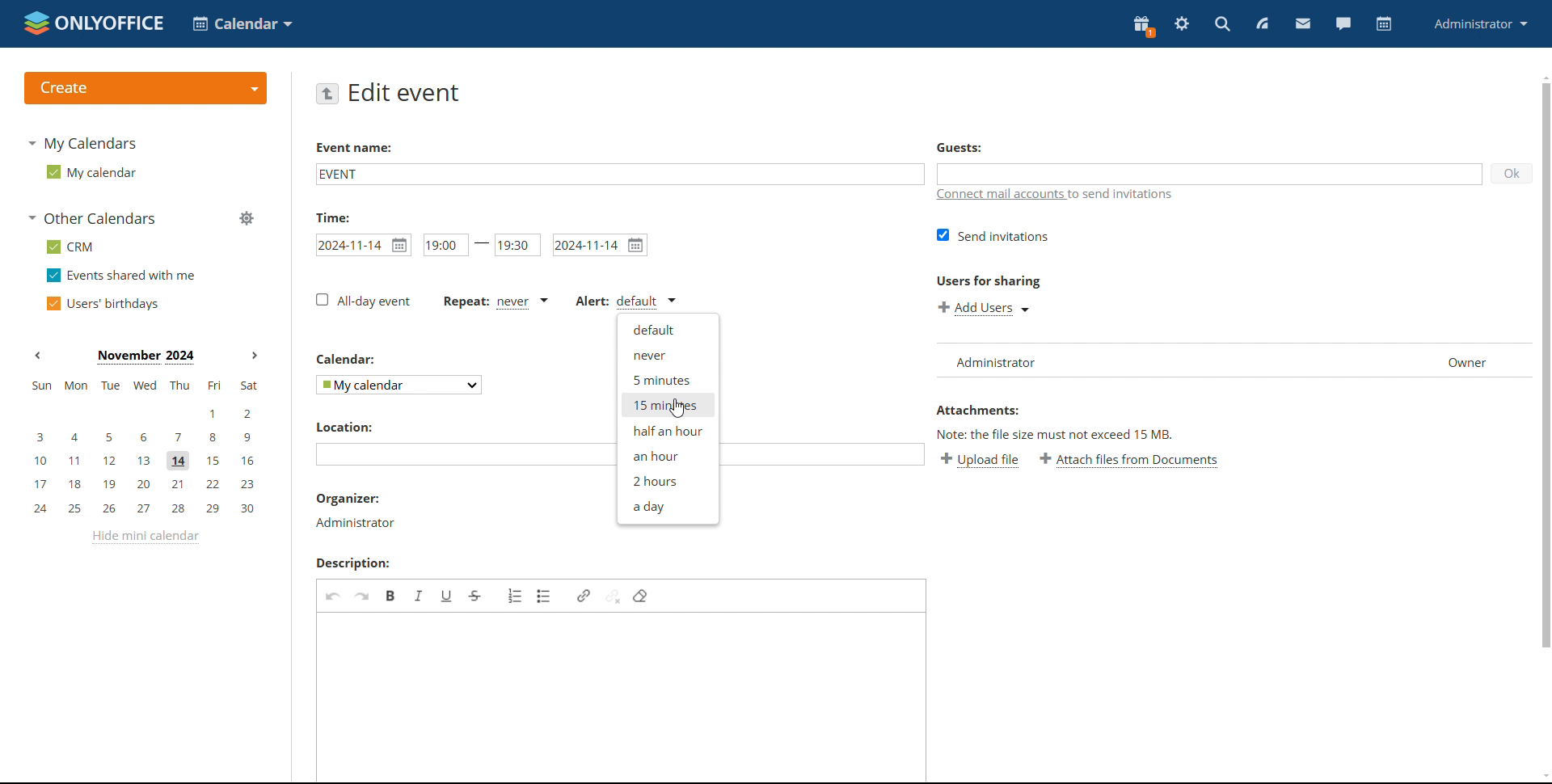 This screenshot has width=1552, height=784. I want to click on start time, so click(444, 245).